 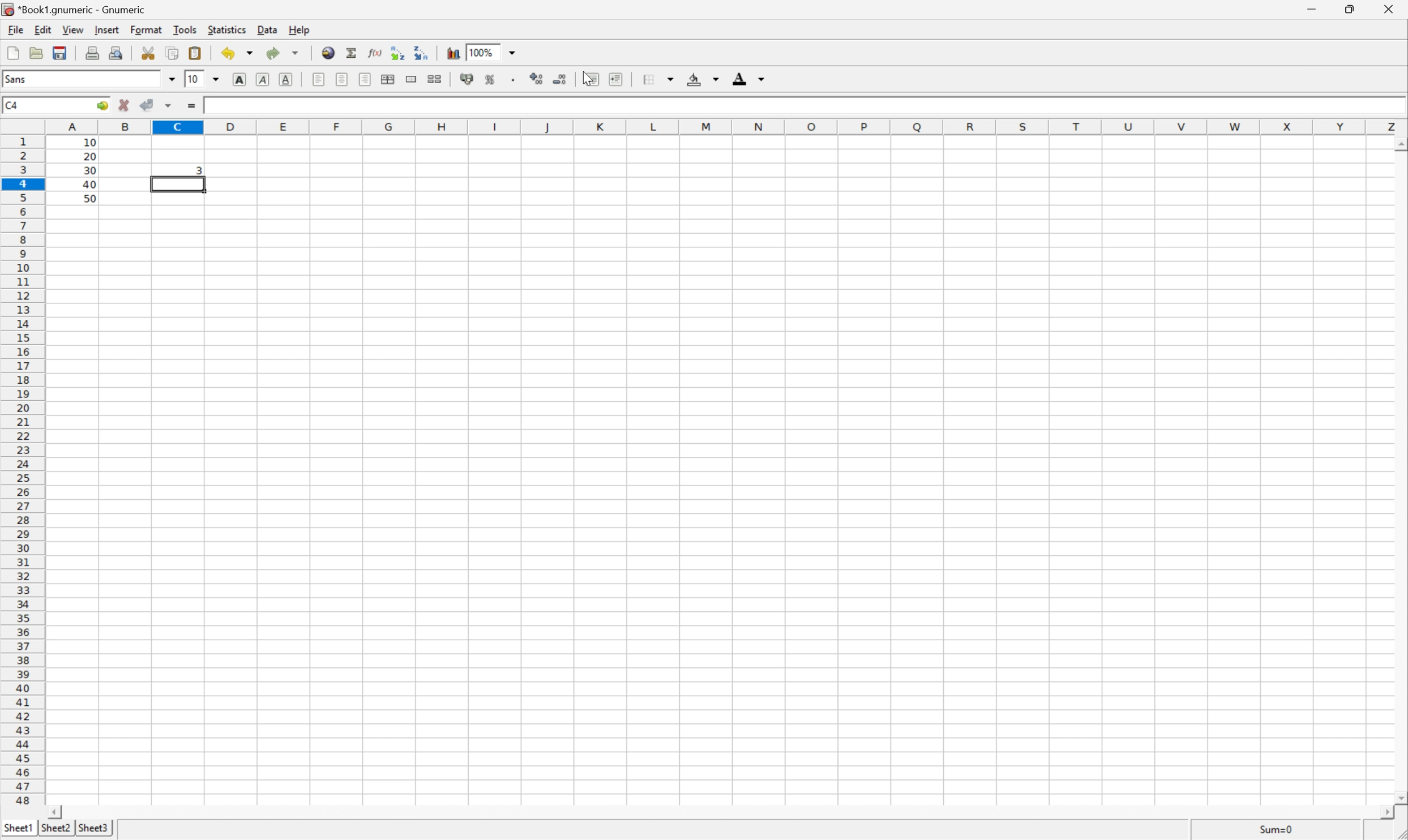 I want to click on Go to..., so click(x=101, y=106).